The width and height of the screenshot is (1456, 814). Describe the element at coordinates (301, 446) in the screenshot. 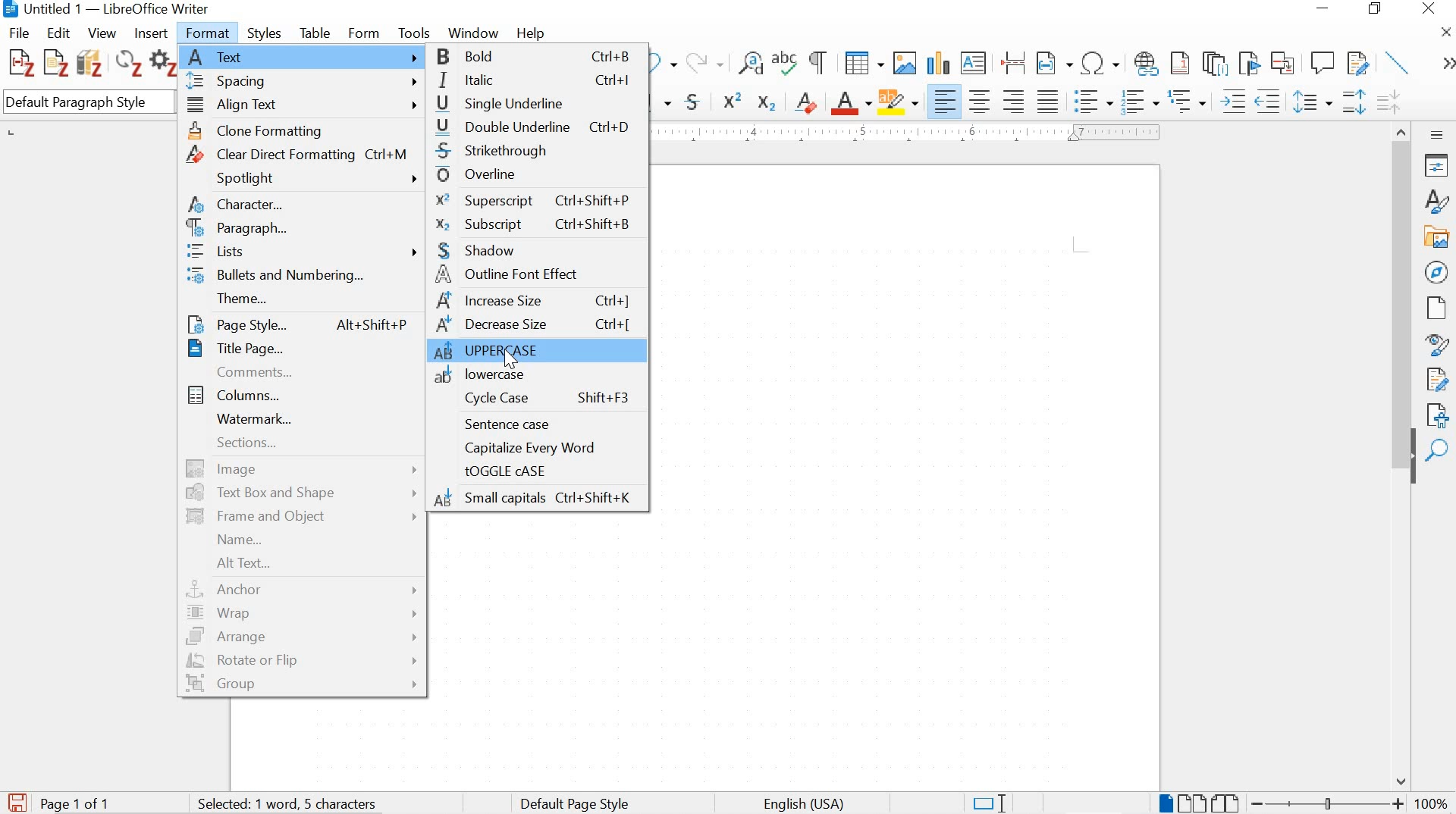

I see `sections` at that location.